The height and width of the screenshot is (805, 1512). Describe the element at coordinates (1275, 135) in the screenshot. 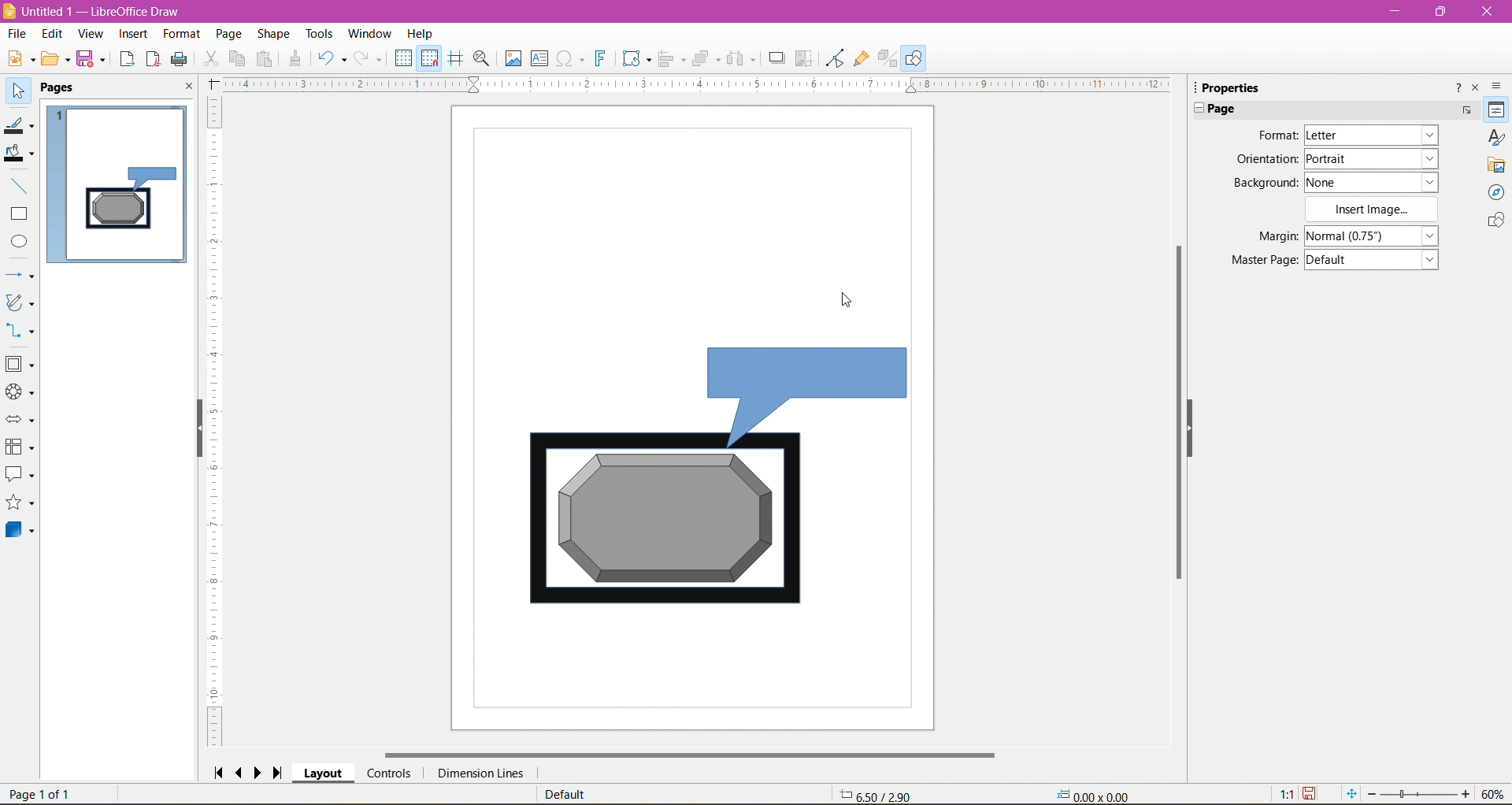

I see `Format` at that location.